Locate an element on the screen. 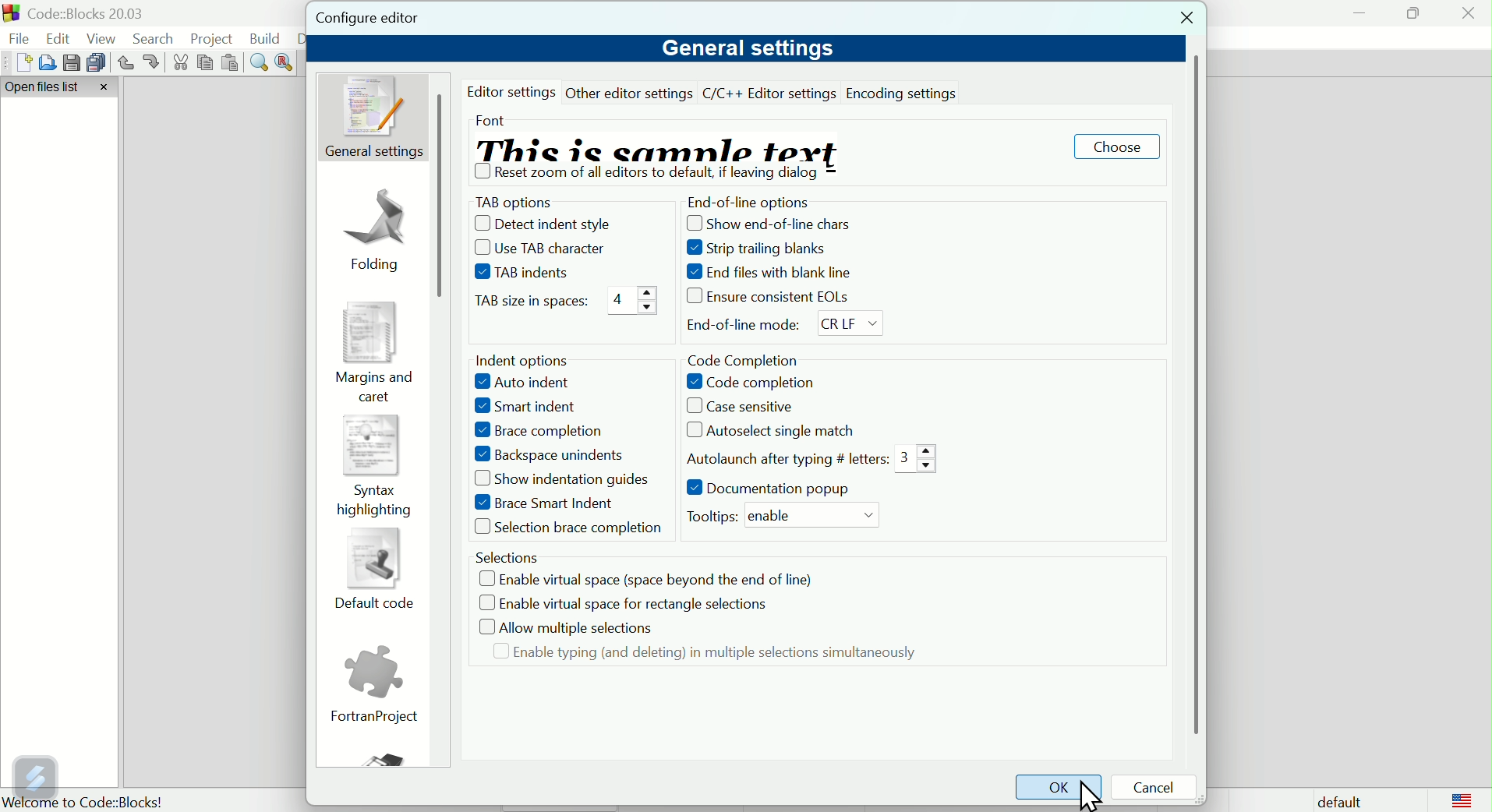 This screenshot has height=812, width=1492. Copy is located at coordinates (206, 63).